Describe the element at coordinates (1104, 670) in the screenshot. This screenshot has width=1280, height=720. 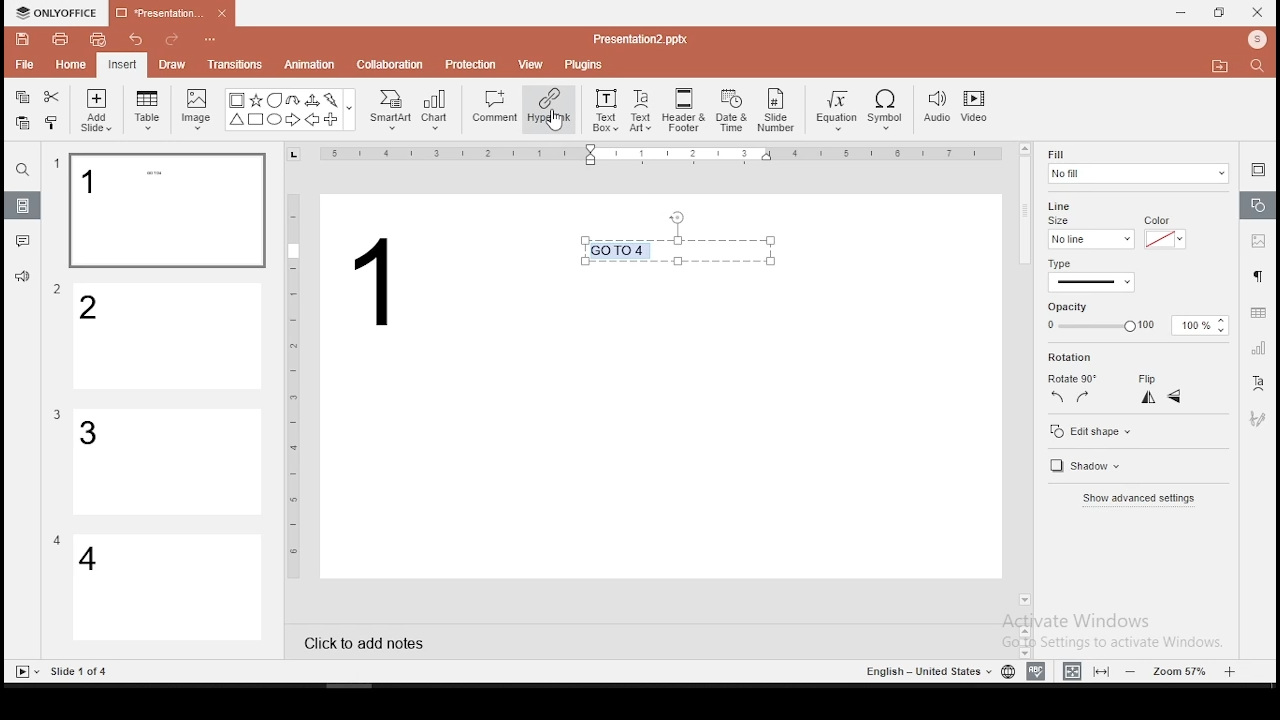
I see `fit to slide` at that location.